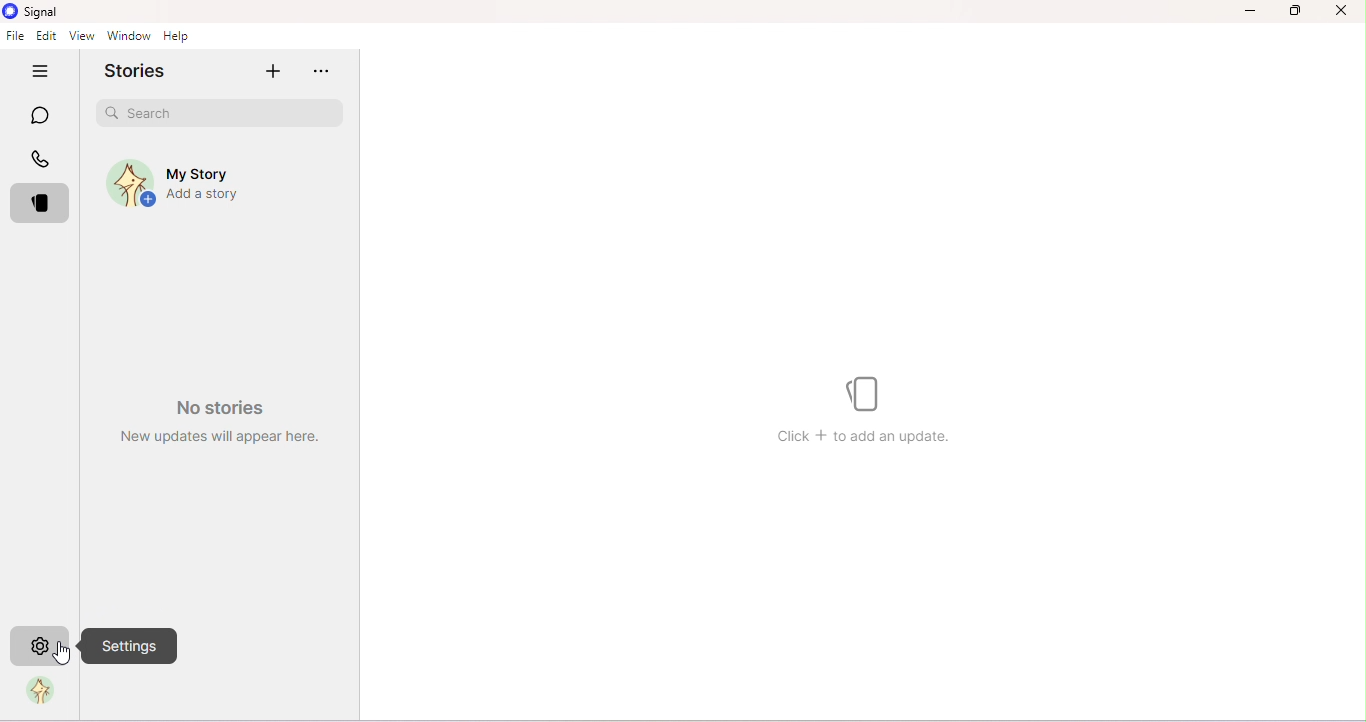 The image size is (1366, 722). I want to click on Minimize, so click(1249, 13).